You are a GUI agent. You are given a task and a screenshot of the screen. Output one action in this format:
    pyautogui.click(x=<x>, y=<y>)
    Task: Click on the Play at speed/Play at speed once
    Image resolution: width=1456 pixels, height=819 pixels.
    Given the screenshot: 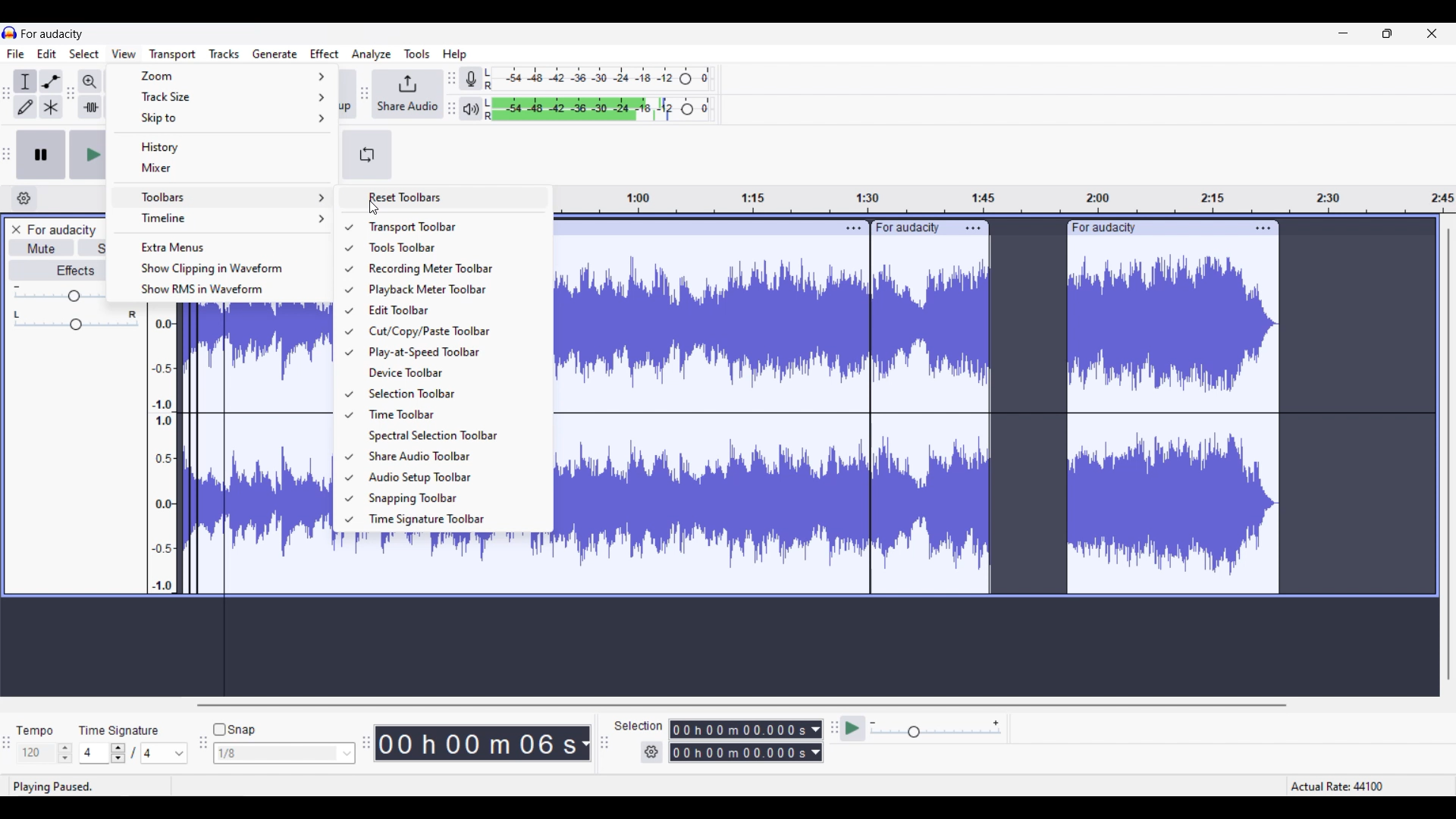 What is the action you would take?
    pyautogui.click(x=853, y=728)
    